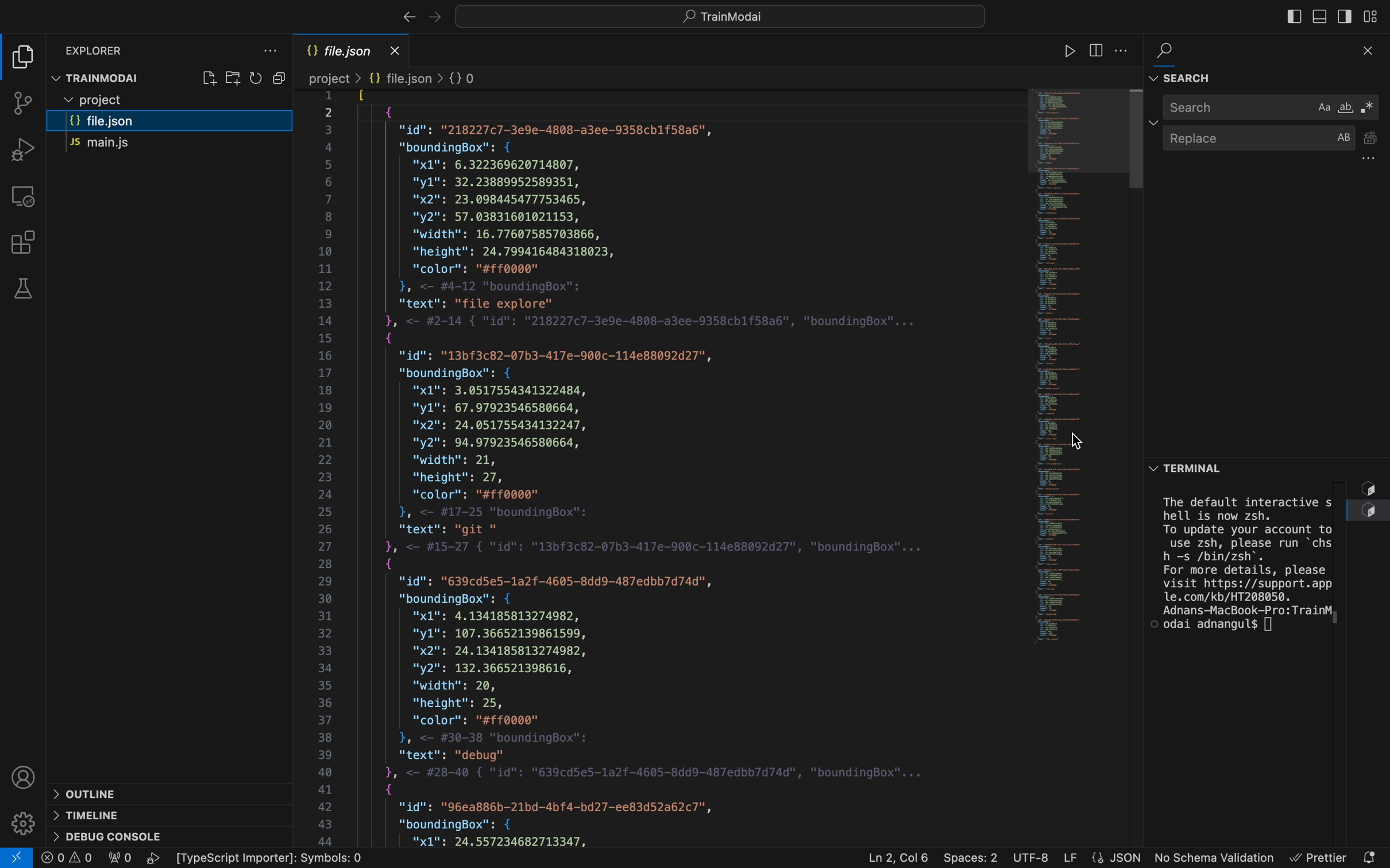  I want to click on explorer, so click(111, 49).